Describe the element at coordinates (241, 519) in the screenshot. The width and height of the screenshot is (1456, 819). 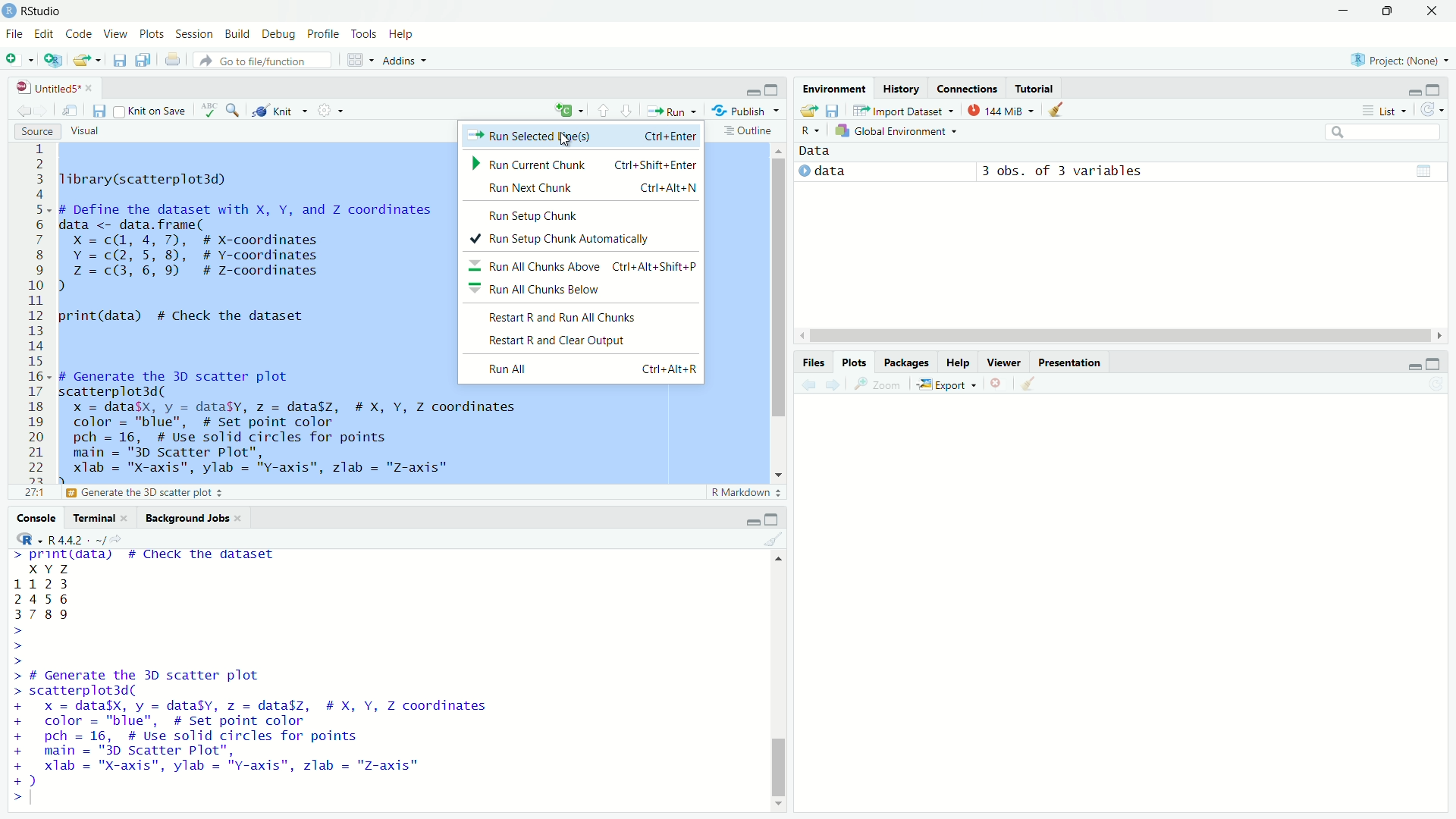
I see `close` at that location.